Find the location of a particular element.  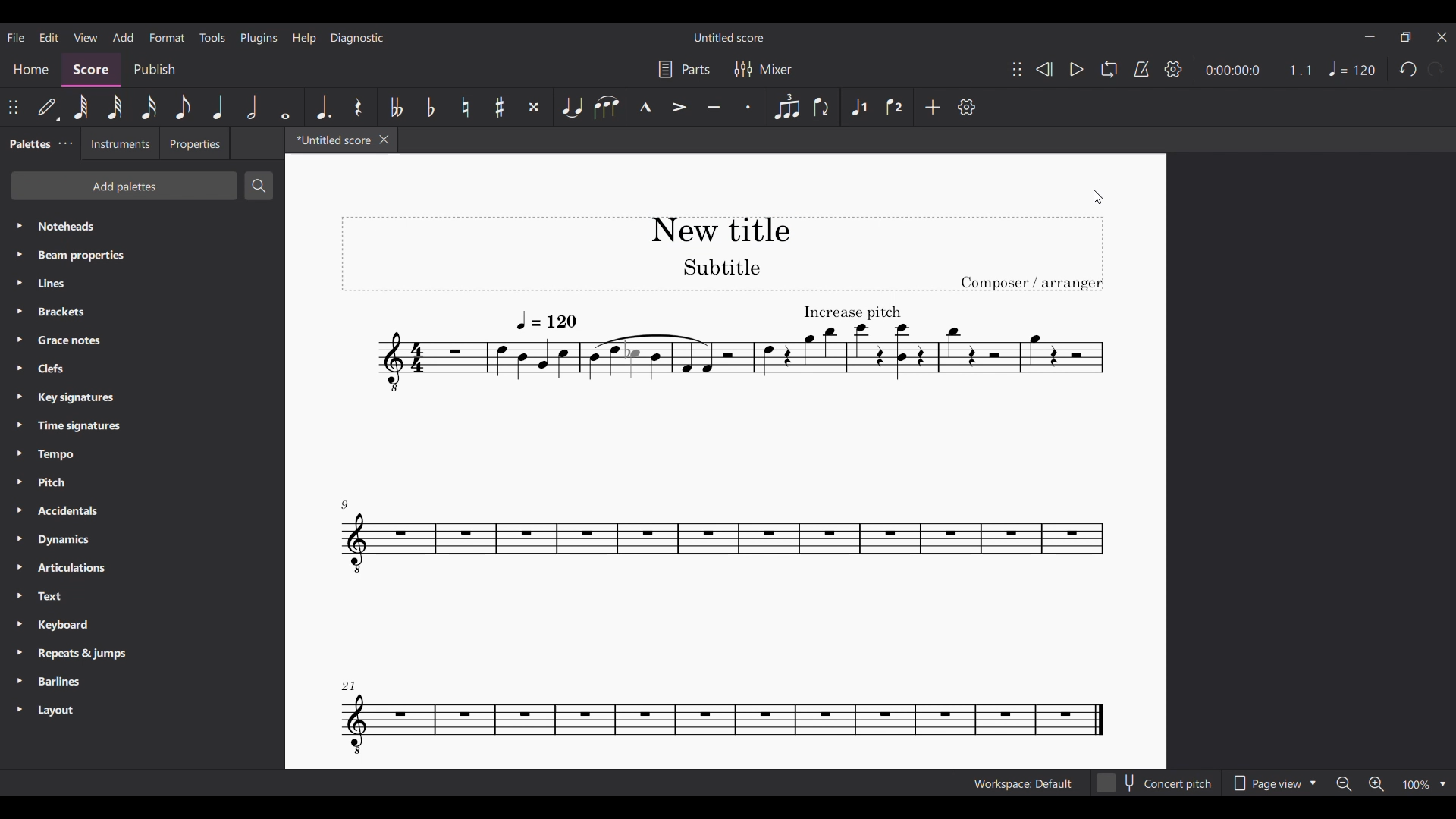

Voice 2 is located at coordinates (896, 107).